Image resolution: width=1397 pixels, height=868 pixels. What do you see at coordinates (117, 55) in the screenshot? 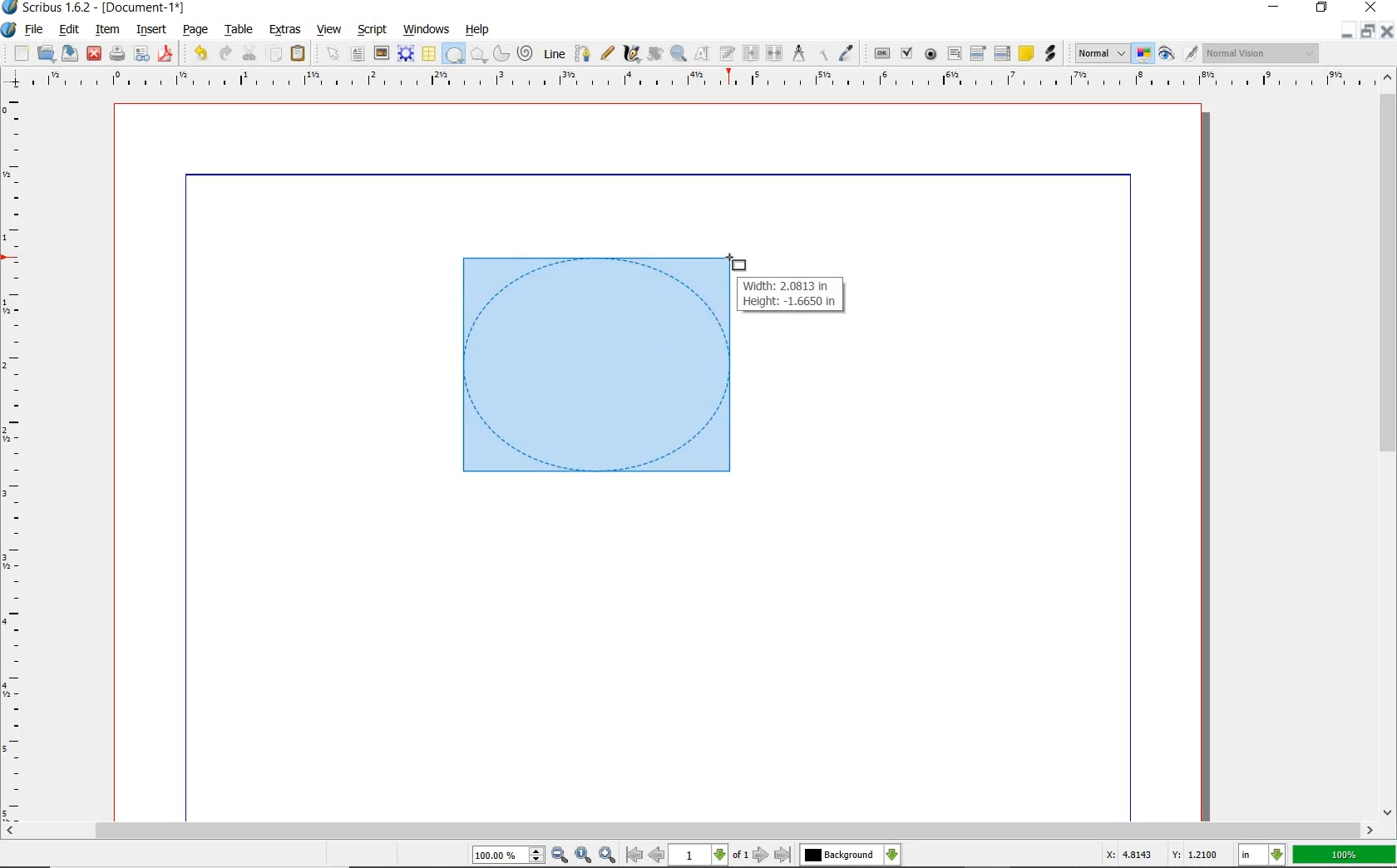
I see `PRINT` at bounding box center [117, 55].